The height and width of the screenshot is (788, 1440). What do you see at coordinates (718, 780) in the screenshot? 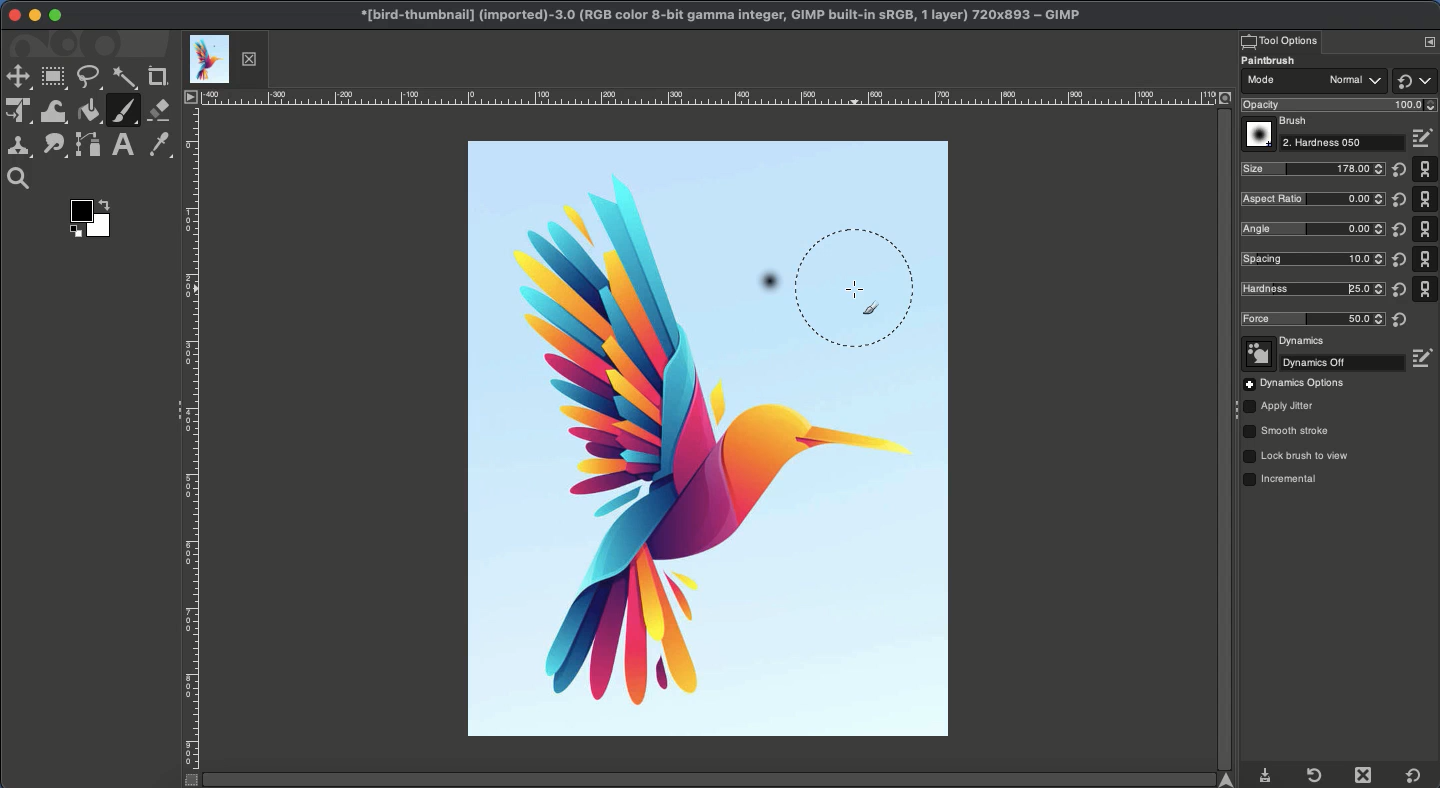
I see `Scroll` at bounding box center [718, 780].